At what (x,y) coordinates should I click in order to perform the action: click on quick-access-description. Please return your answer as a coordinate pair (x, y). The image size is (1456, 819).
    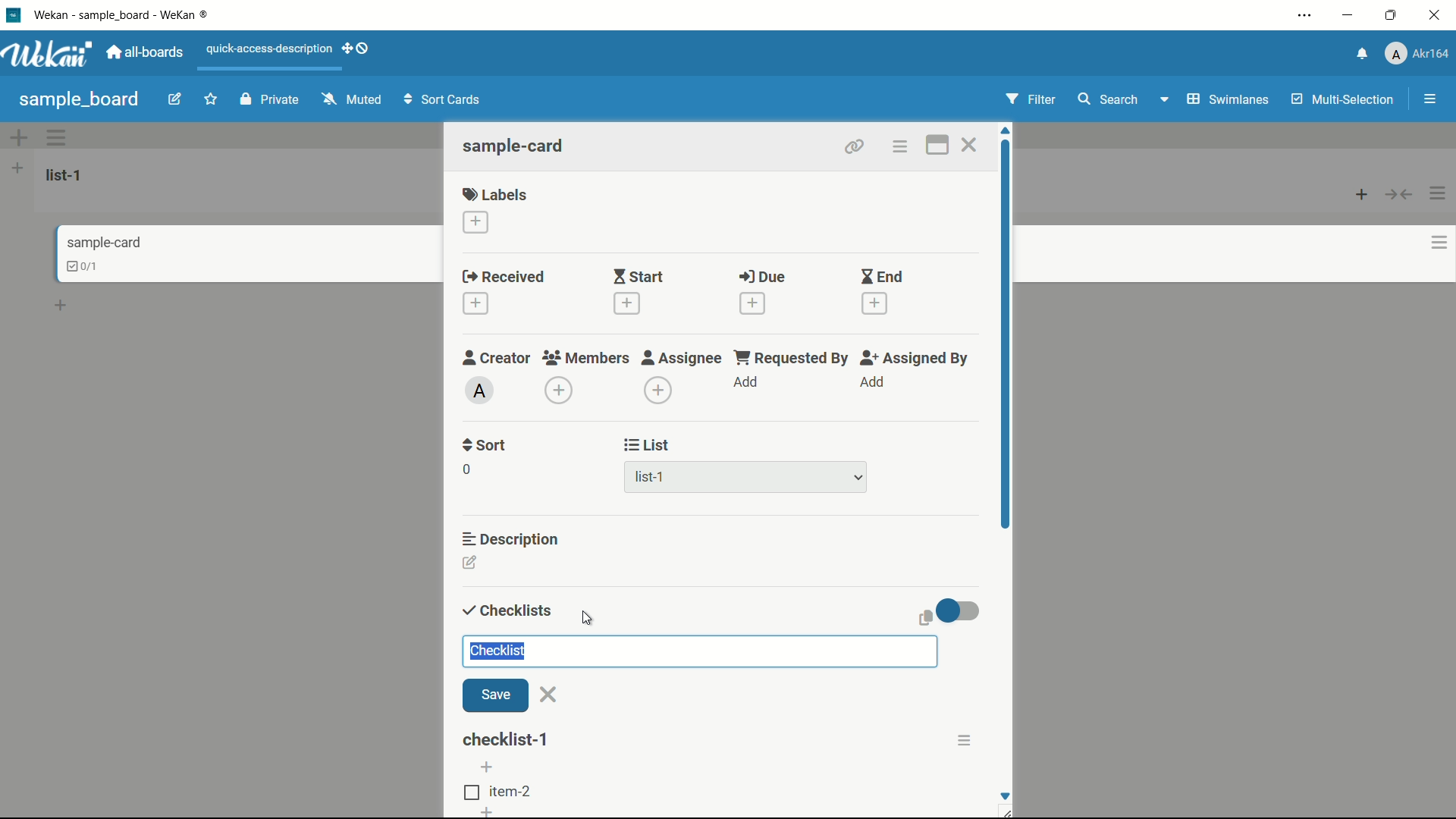
    Looking at the image, I should click on (270, 49).